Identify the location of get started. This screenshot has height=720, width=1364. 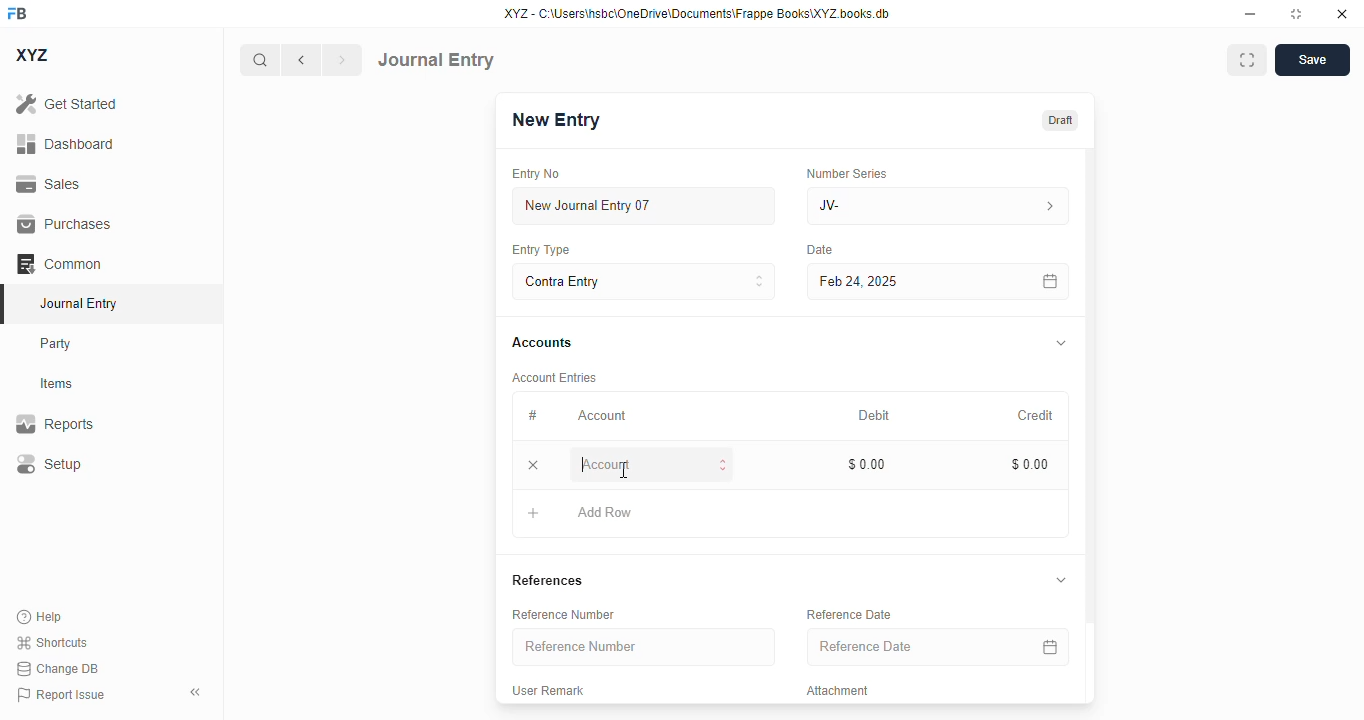
(67, 104).